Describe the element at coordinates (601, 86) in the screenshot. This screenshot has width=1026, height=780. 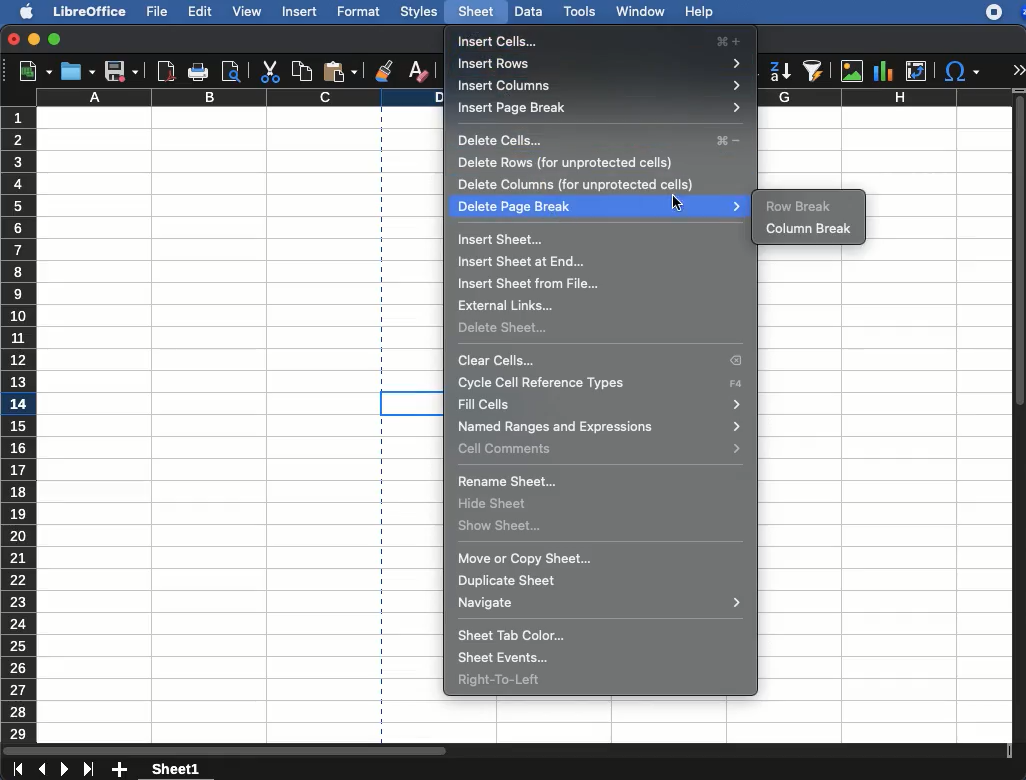
I see `insert columns` at that location.